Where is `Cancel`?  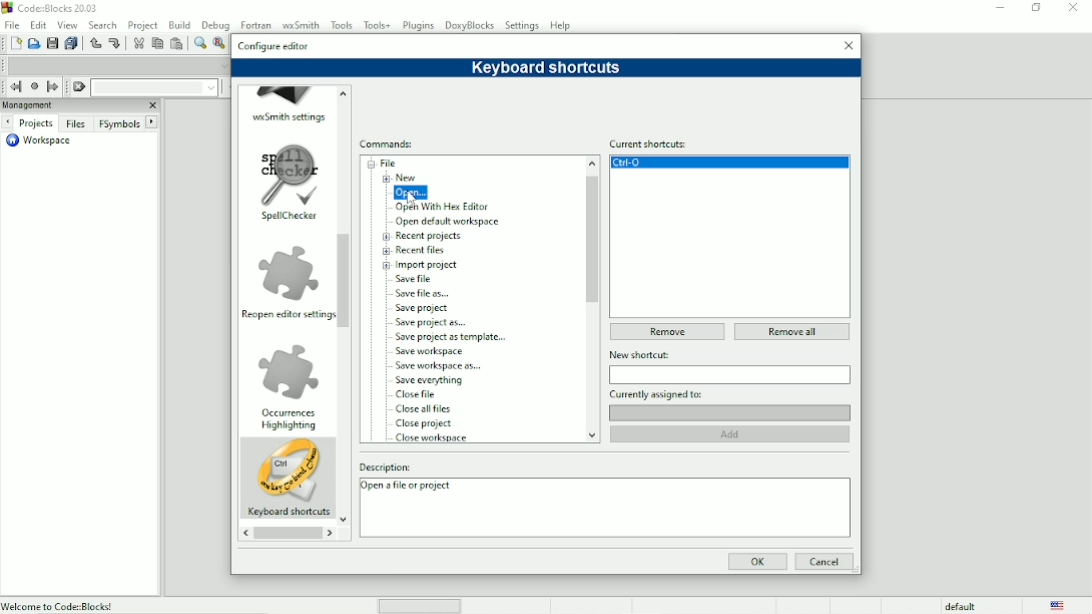 Cancel is located at coordinates (824, 562).